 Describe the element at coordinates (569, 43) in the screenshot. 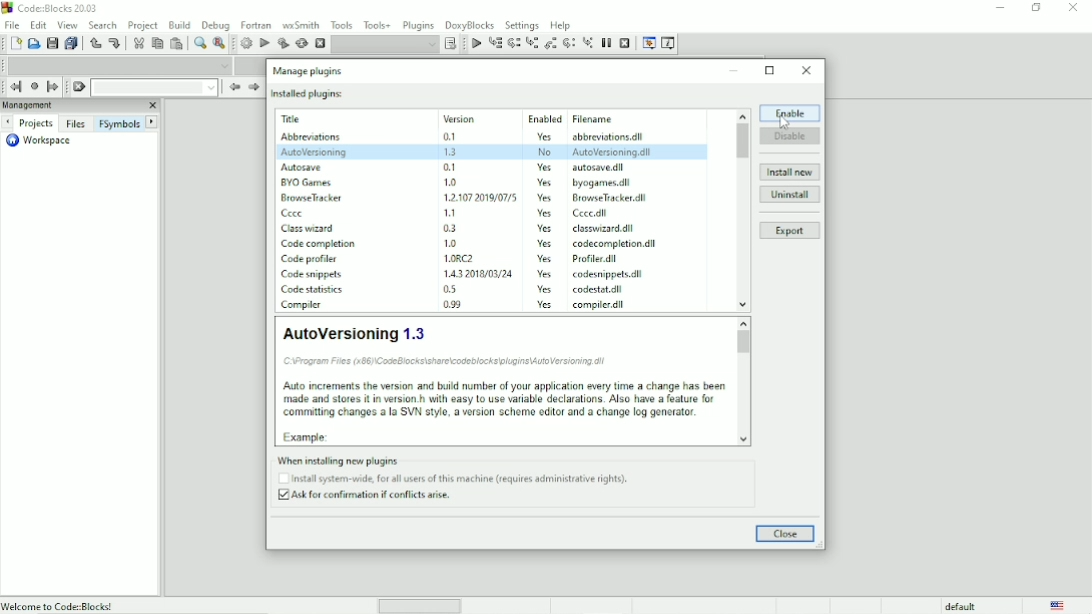

I see `Next instruction` at that location.